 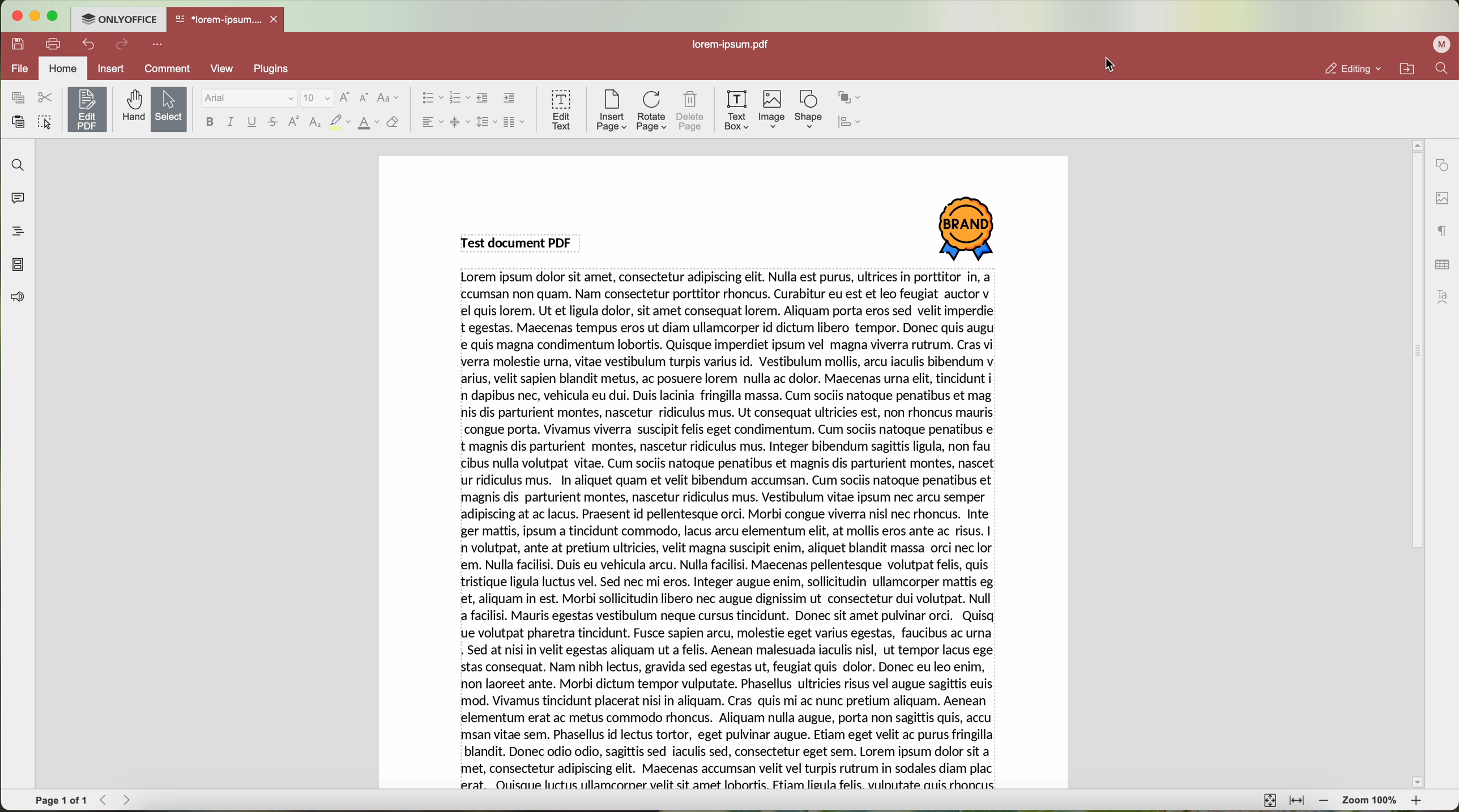 I want to click on plugins, so click(x=278, y=69).